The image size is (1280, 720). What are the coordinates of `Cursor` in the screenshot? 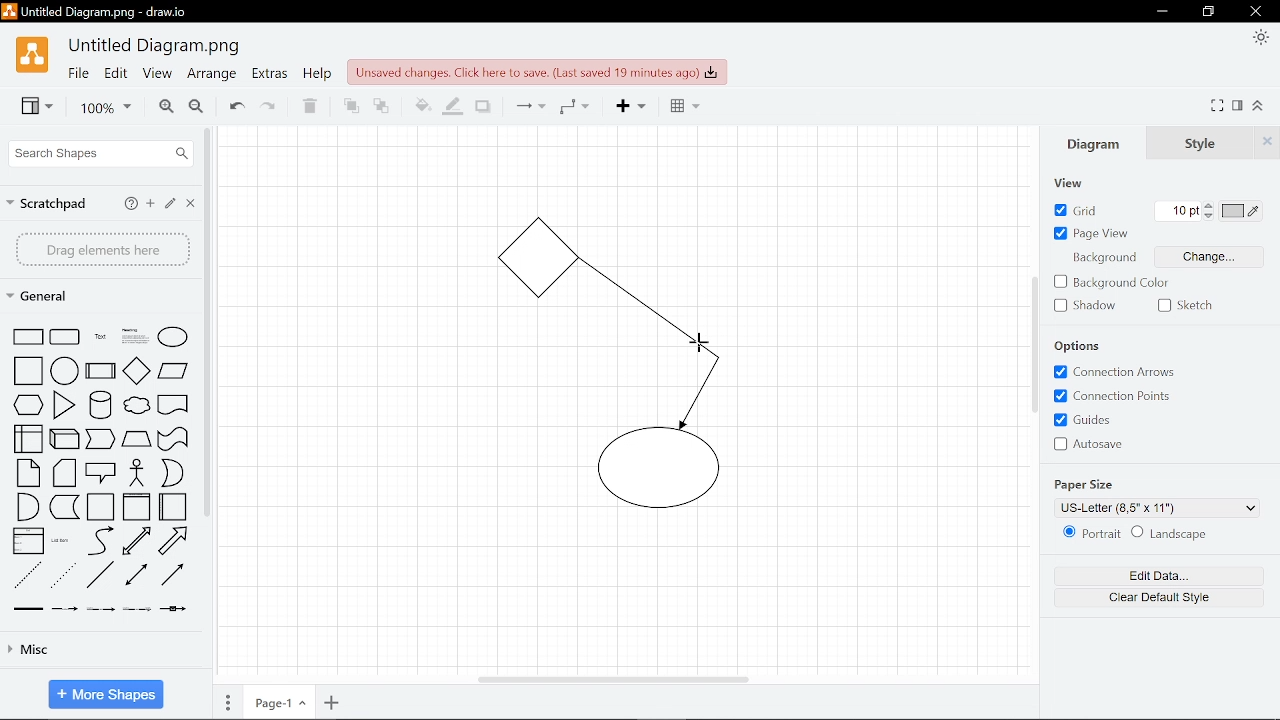 It's located at (700, 343).